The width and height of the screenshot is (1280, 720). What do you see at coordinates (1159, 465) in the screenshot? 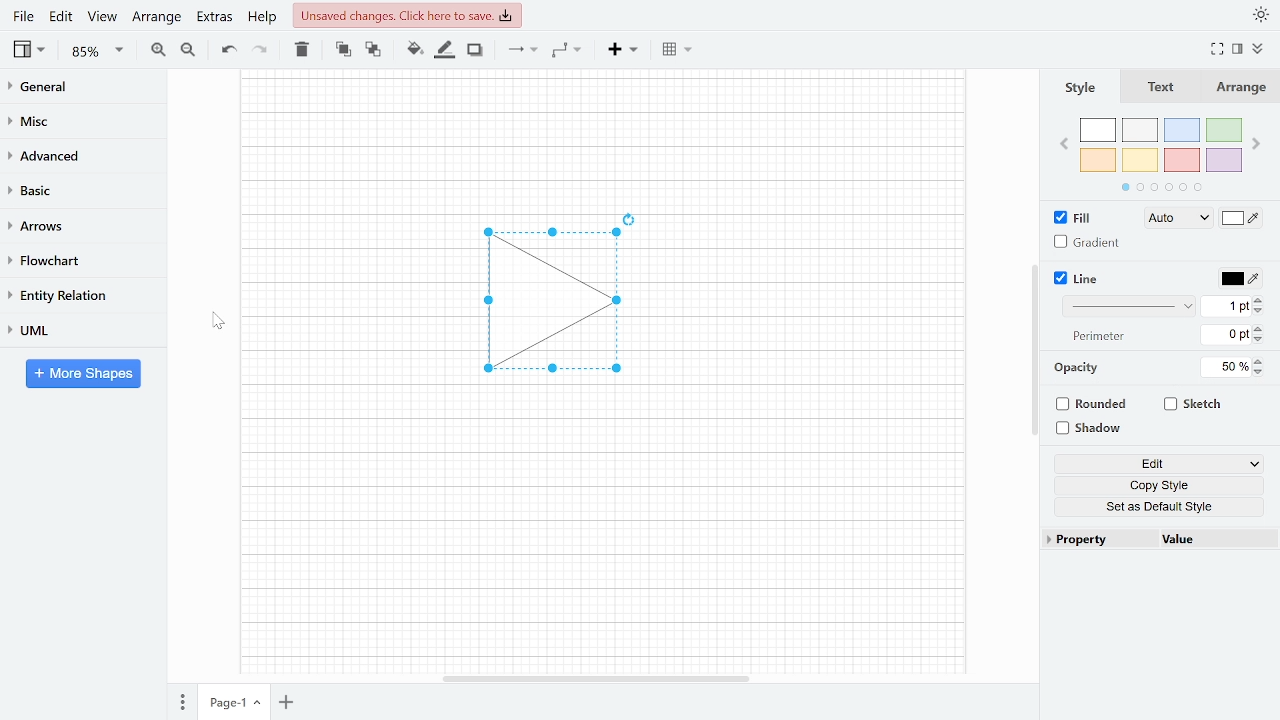
I see `Edit` at bounding box center [1159, 465].